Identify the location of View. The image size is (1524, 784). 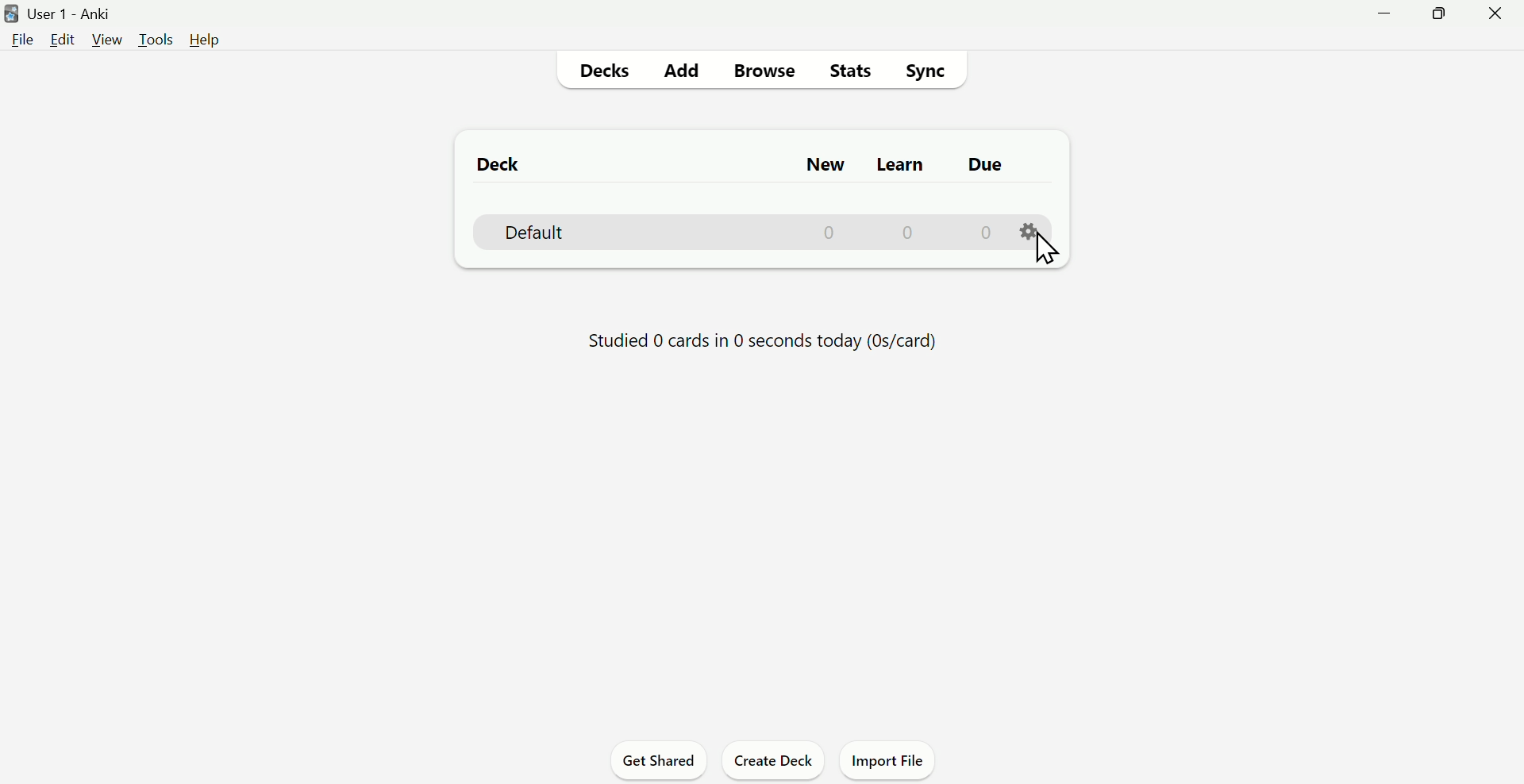
(109, 40).